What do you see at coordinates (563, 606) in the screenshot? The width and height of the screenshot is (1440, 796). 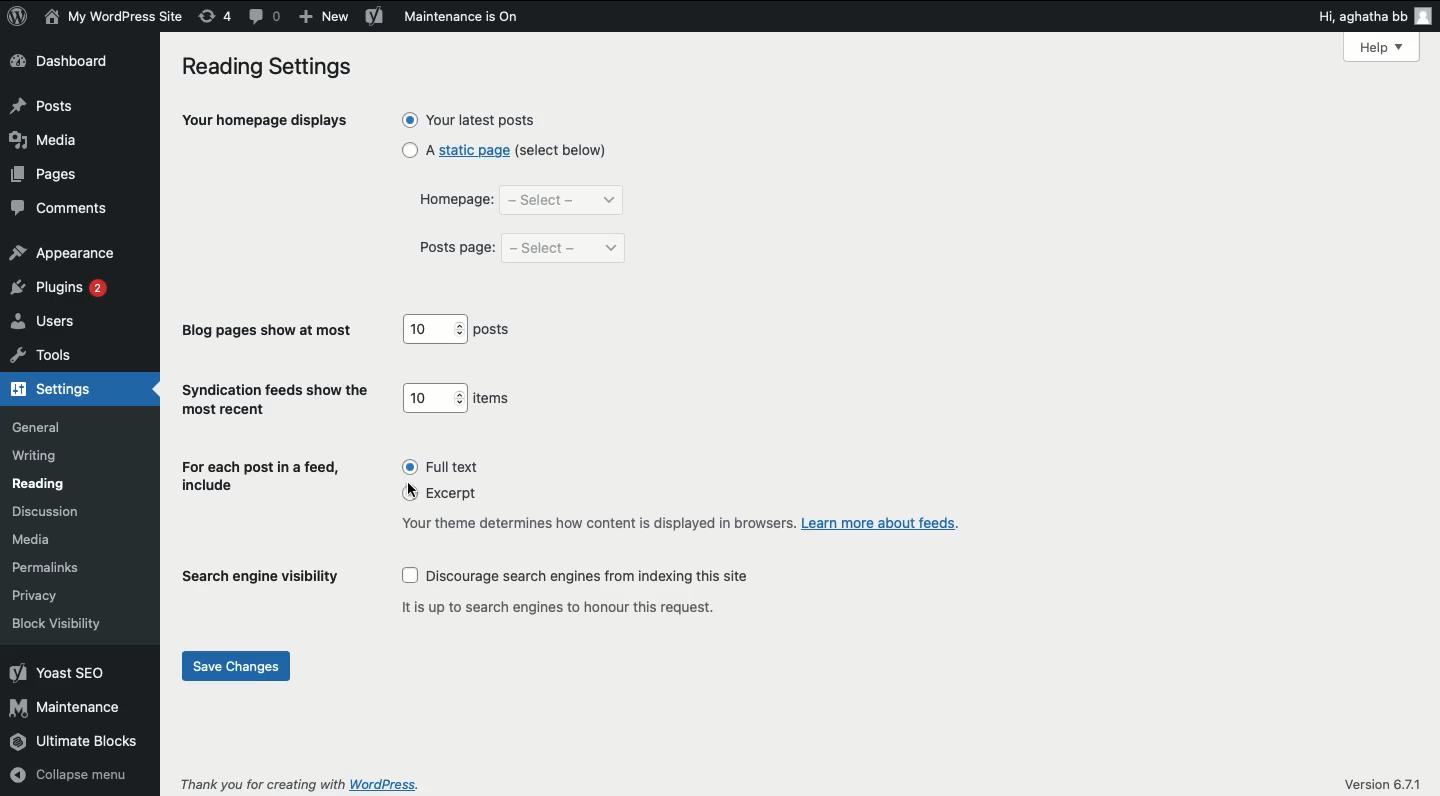 I see `it is up to search engines to honour this request` at bounding box center [563, 606].